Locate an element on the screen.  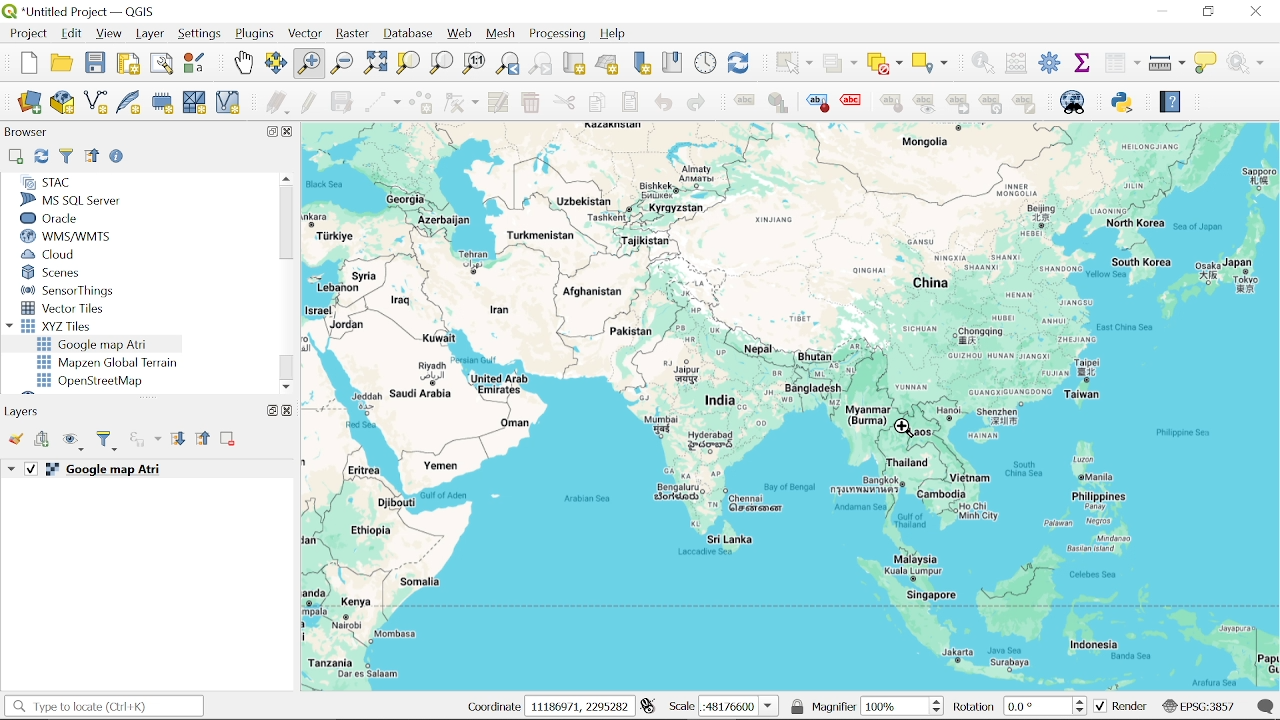
Measure line is located at coordinates (1168, 64).